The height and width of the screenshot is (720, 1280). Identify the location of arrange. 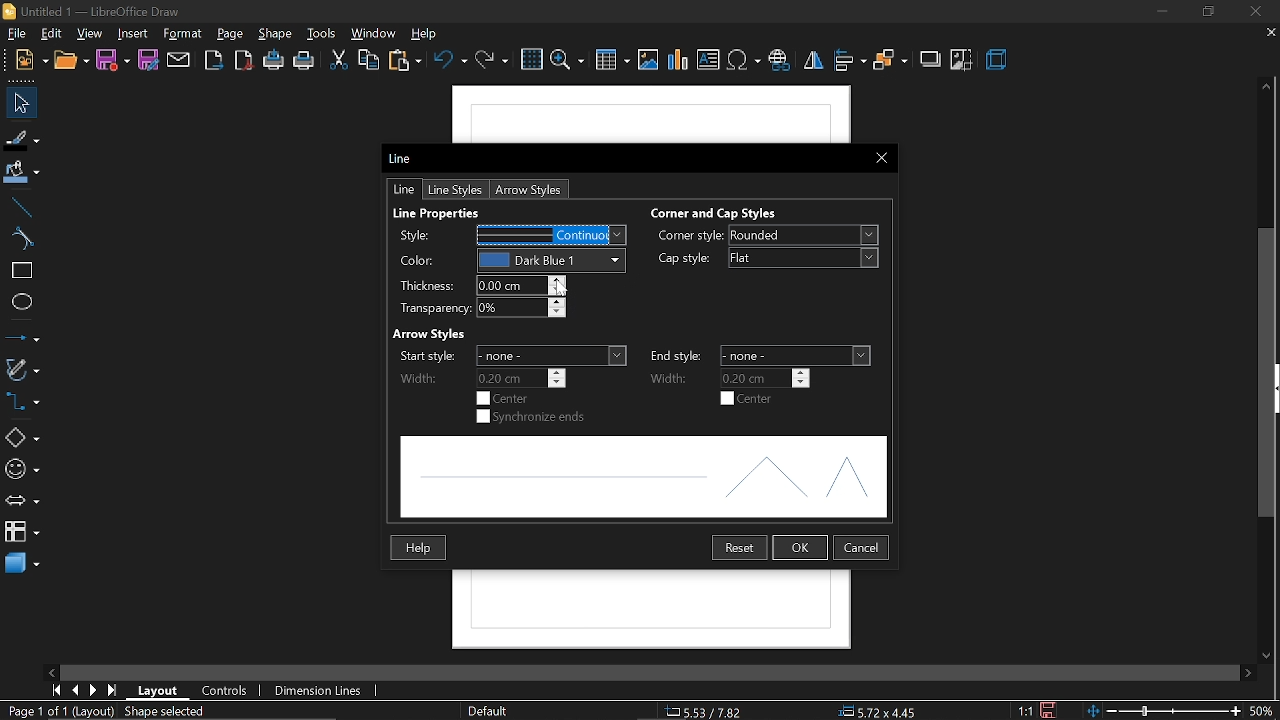
(889, 63).